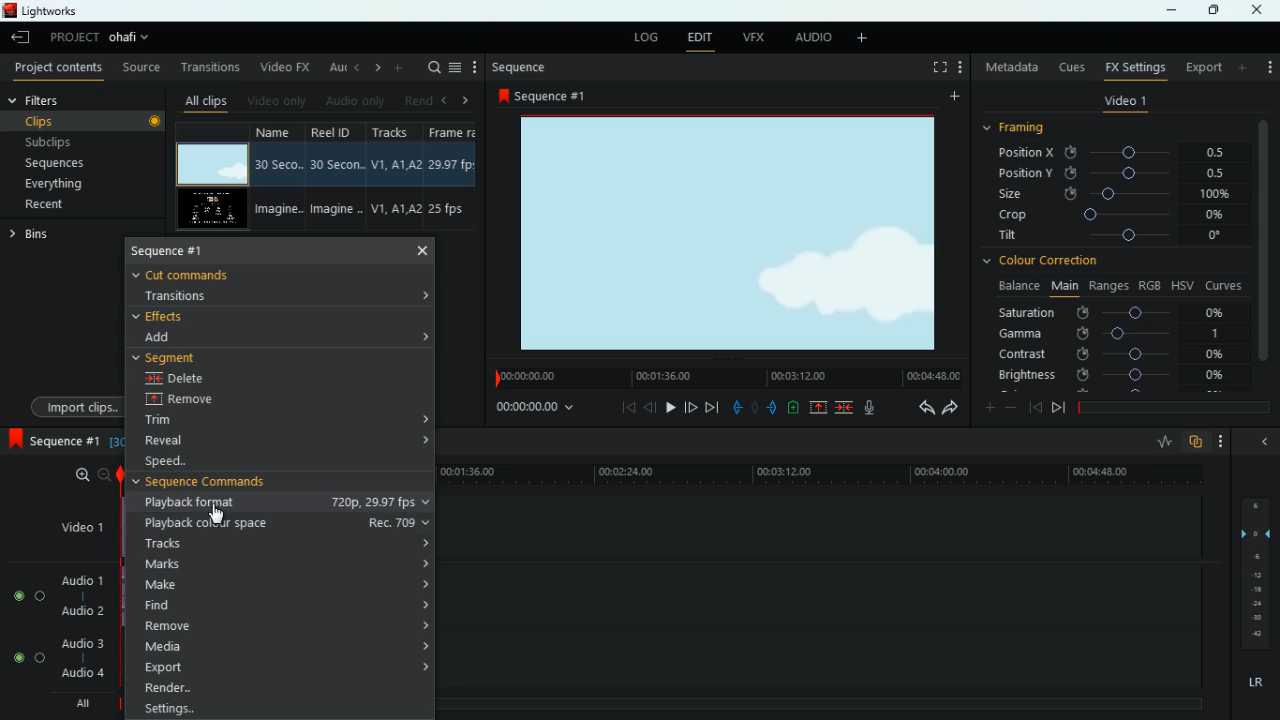 This screenshot has width=1280, height=720. Describe the element at coordinates (337, 68) in the screenshot. I see `au` at that location.